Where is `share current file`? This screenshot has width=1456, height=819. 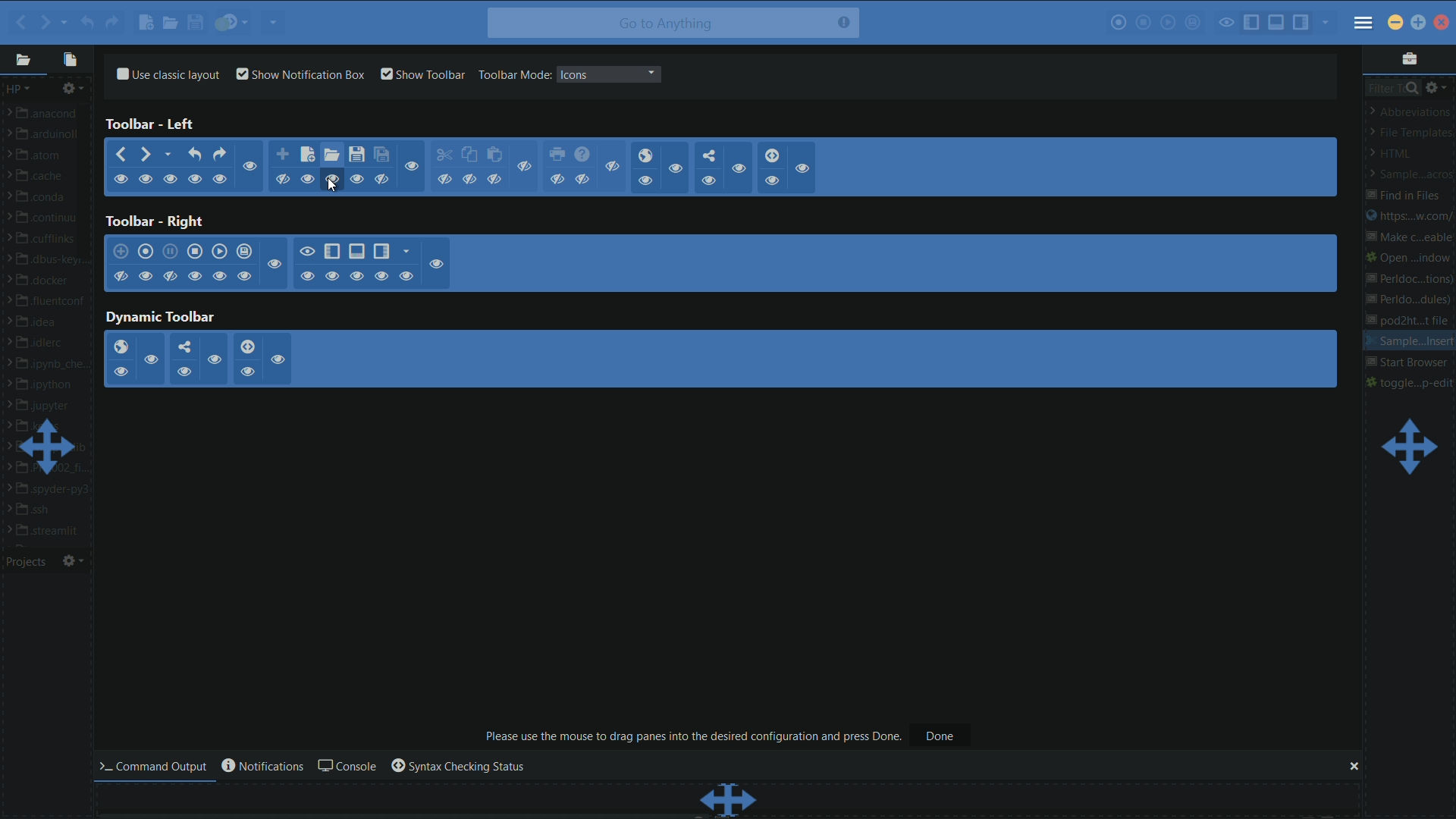
share current file is located at coordinates (271, 22).